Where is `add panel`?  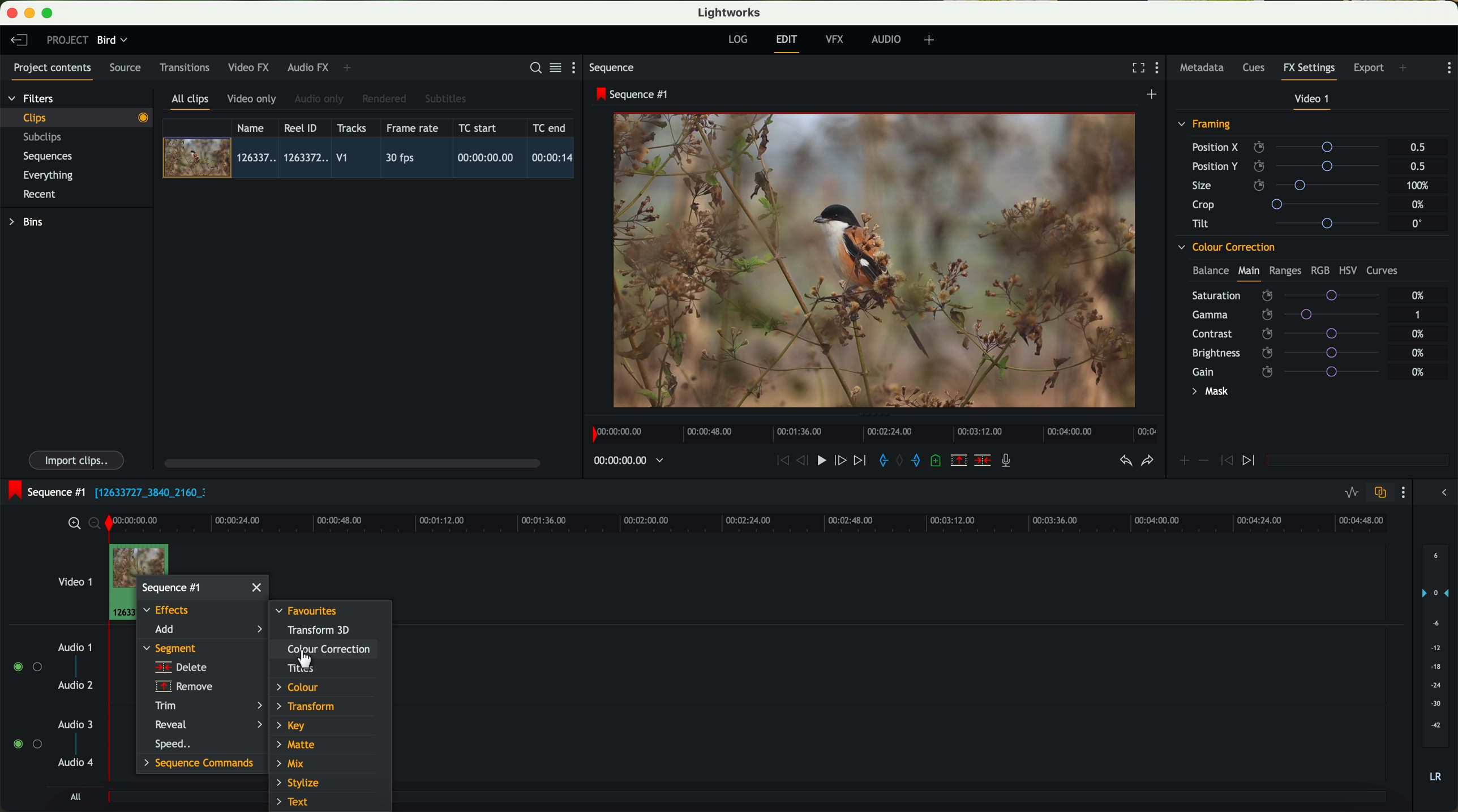
add panel is located at coordinates (350, 68).